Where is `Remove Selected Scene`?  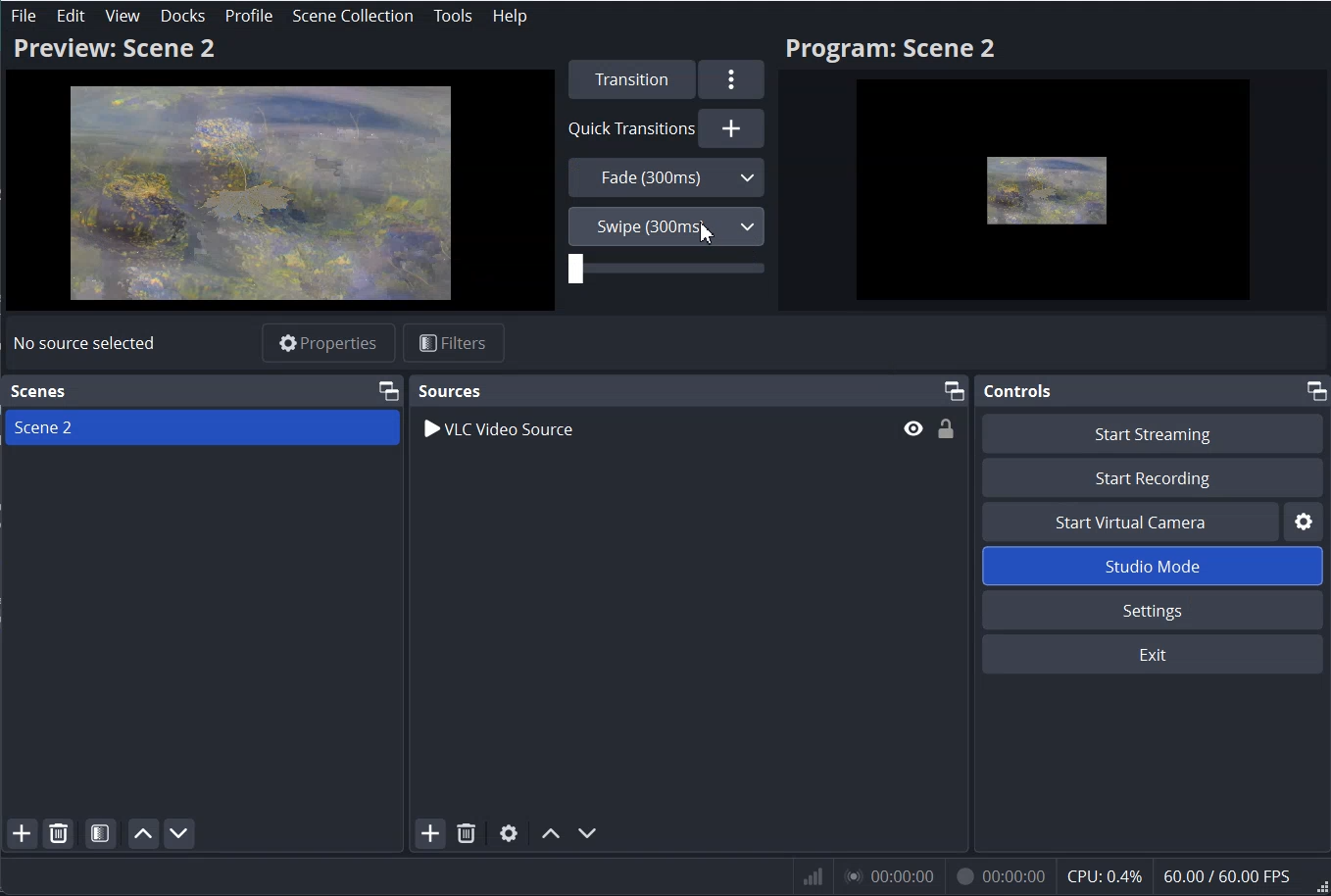
Remove Selected Scene is located at coordinates (58, 832).